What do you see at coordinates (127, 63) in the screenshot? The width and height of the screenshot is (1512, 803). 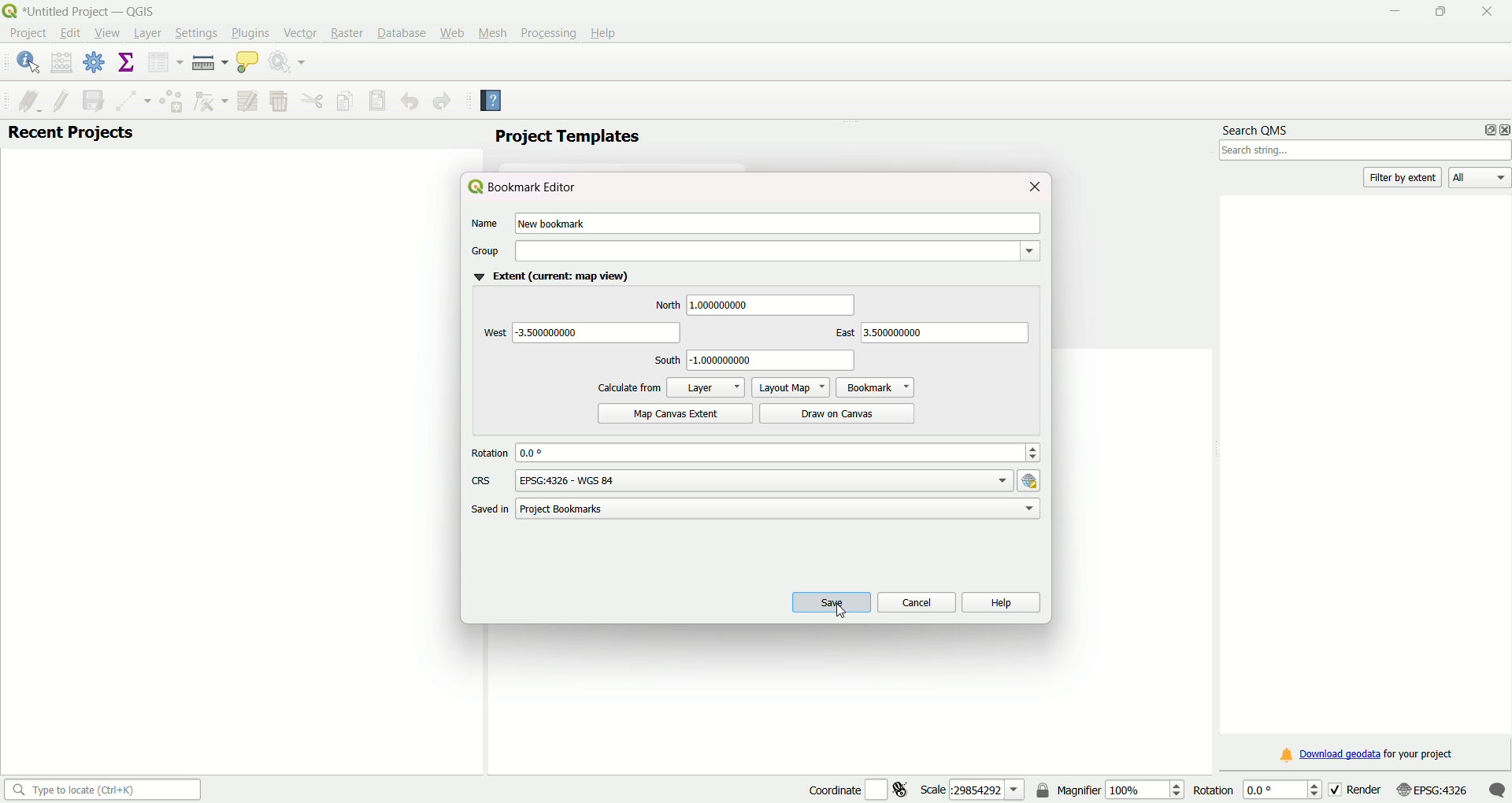 I see `show statistical summary` at bounding box center [127, 63].